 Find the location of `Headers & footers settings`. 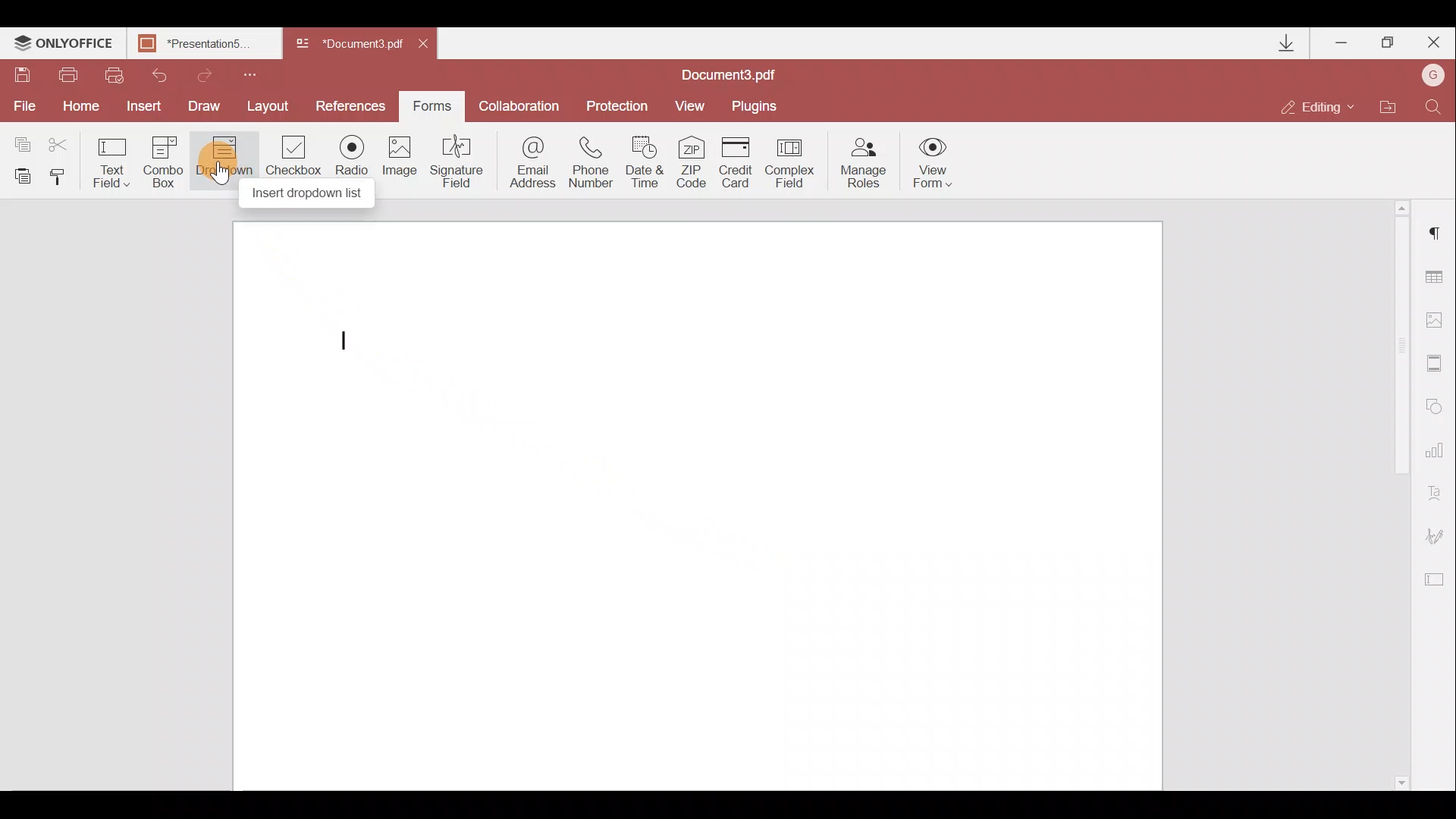

Headers & footers settings is located at coordinates (1439, 364).